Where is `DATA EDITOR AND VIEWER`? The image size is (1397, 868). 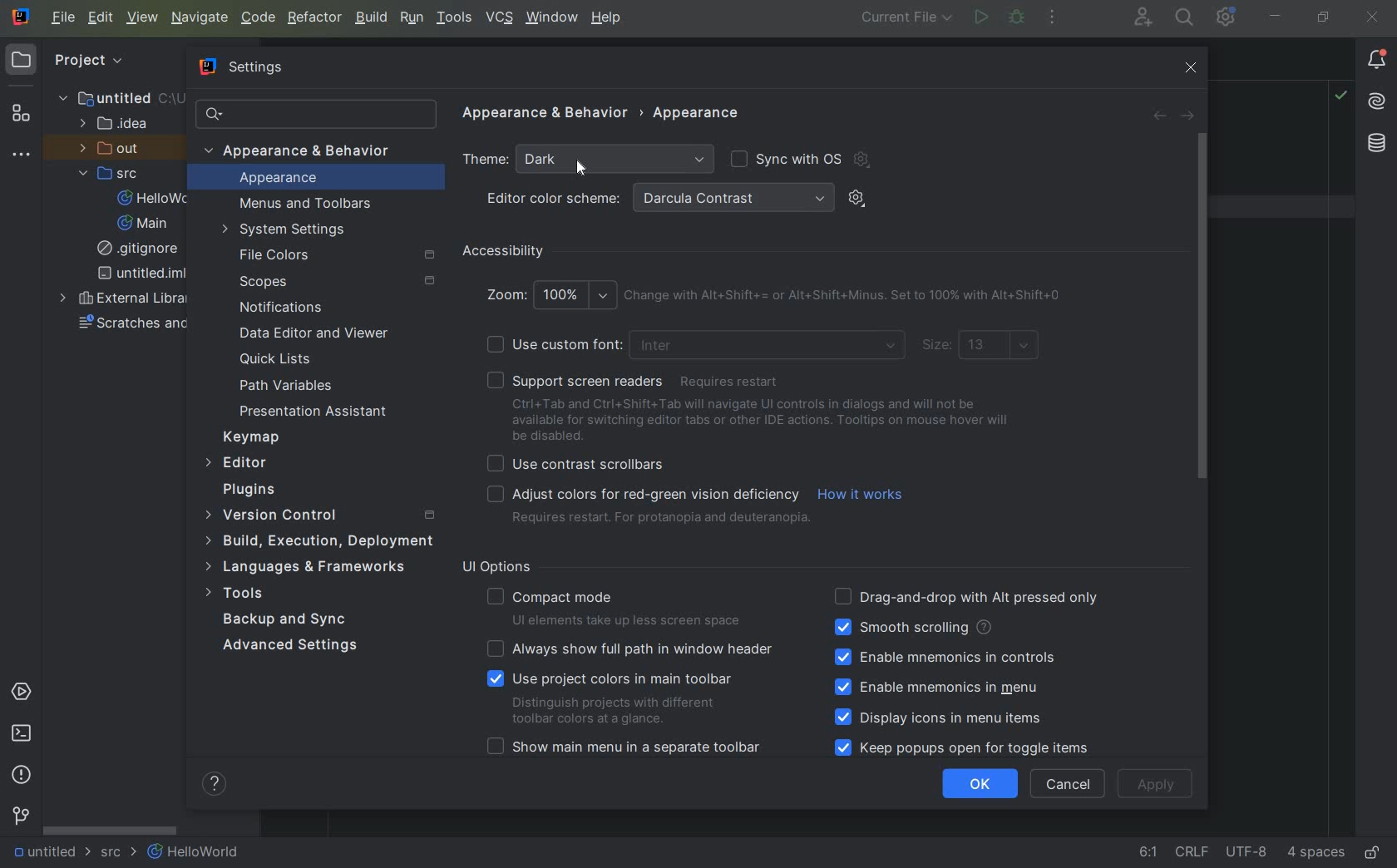 DATA EDITOR AND VIEWER is located at coordinates (313, 333).